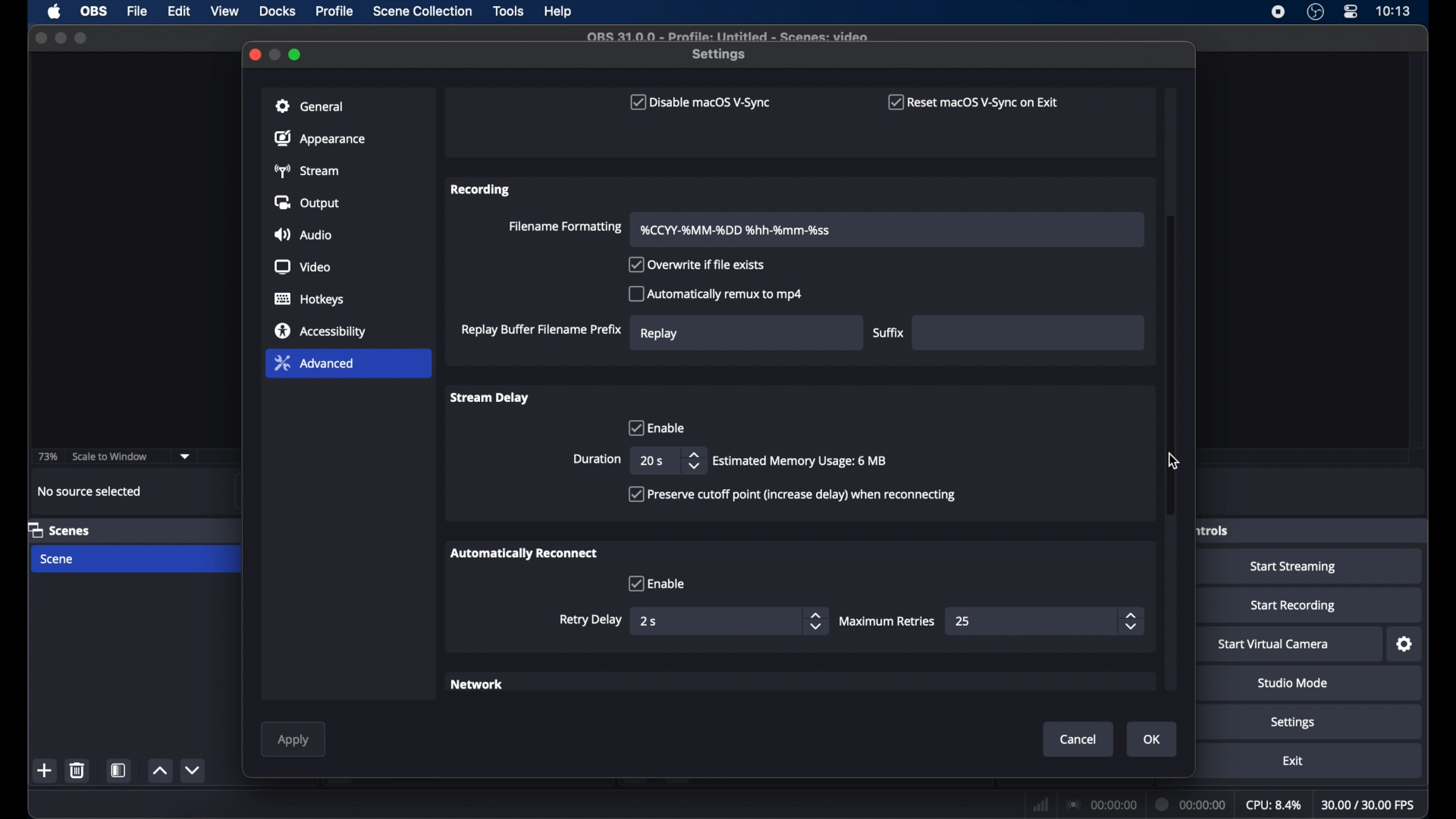  What do you see at coordinates (278, 11) in the screenshot?
I see `docks` at bounding box center [278, 11].